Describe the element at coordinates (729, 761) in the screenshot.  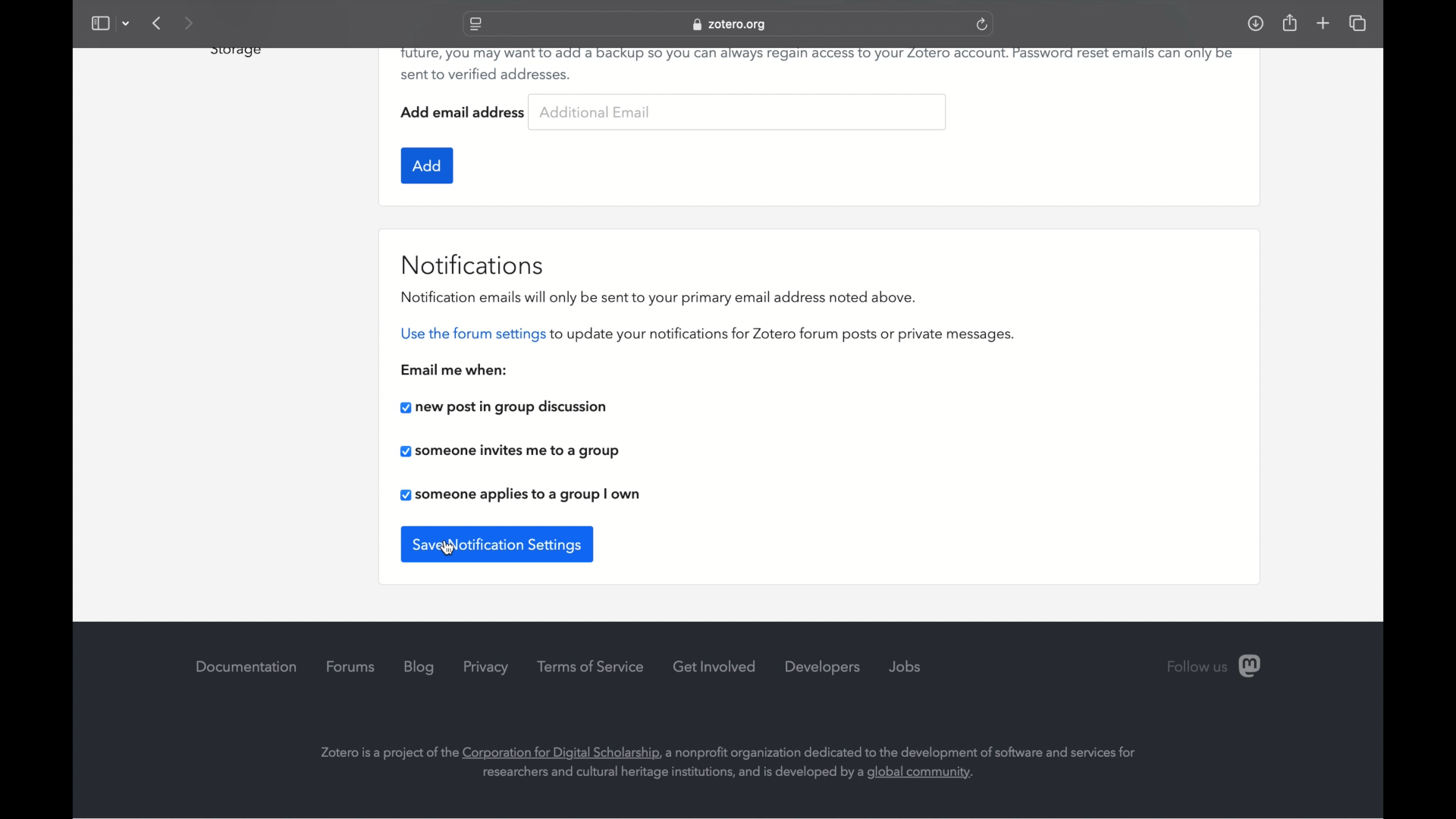
I see `zotero company's background` at that location.